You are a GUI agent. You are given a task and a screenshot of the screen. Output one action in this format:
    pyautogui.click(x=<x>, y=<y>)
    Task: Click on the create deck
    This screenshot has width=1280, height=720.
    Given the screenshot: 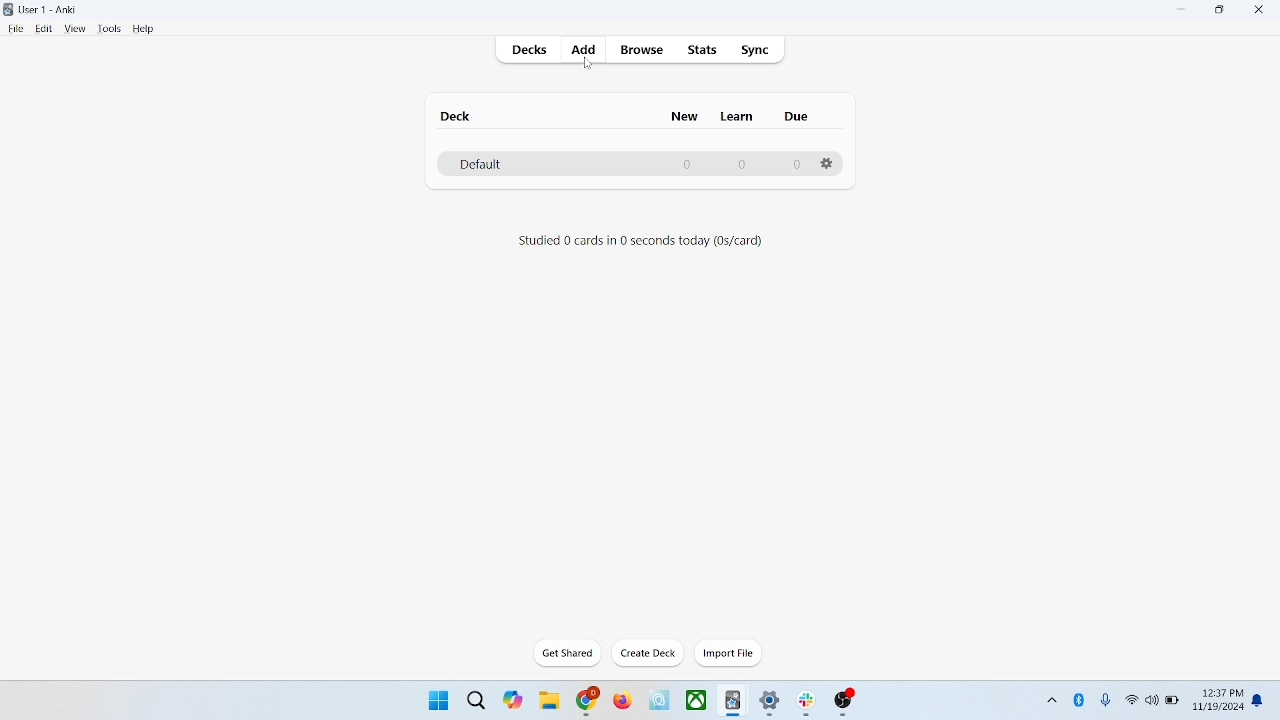 What is the action you would take?
    pyautogui.click(x=649, y=653)
    